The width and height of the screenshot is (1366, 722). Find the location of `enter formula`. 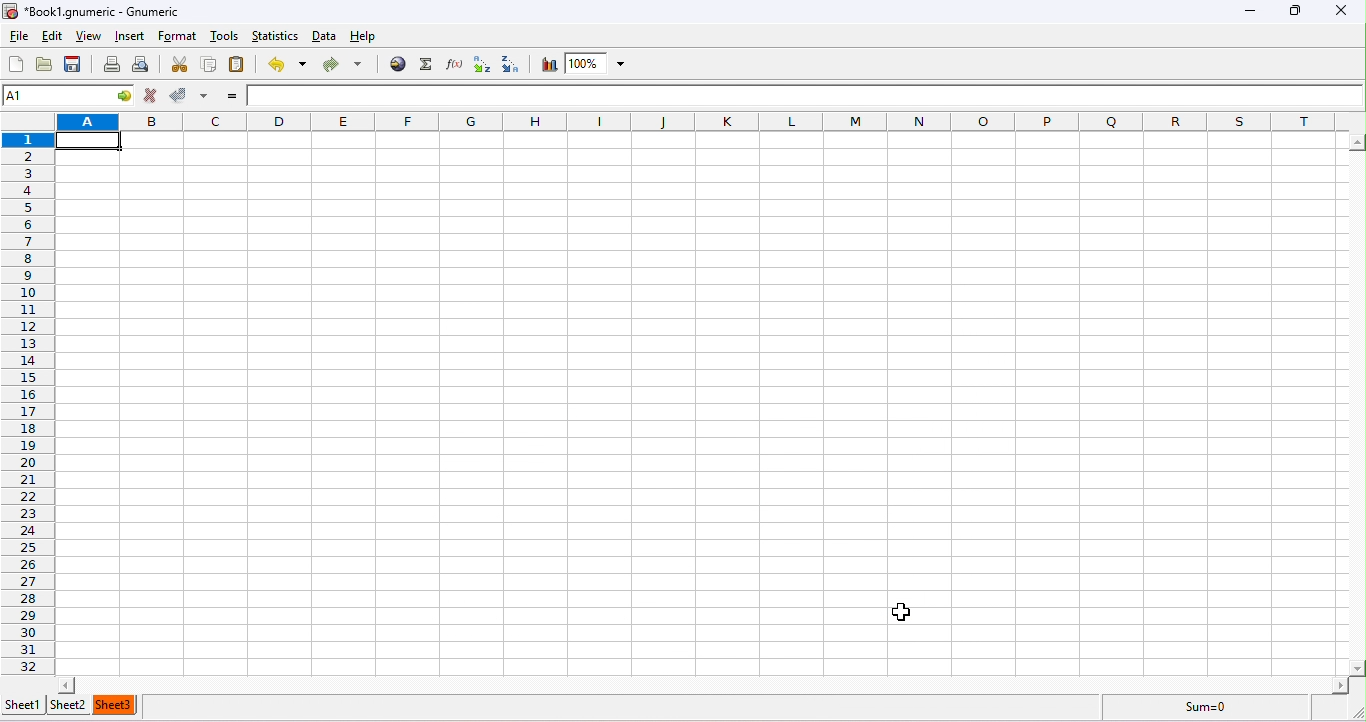

enter formula is located at coordinates (228, 95).